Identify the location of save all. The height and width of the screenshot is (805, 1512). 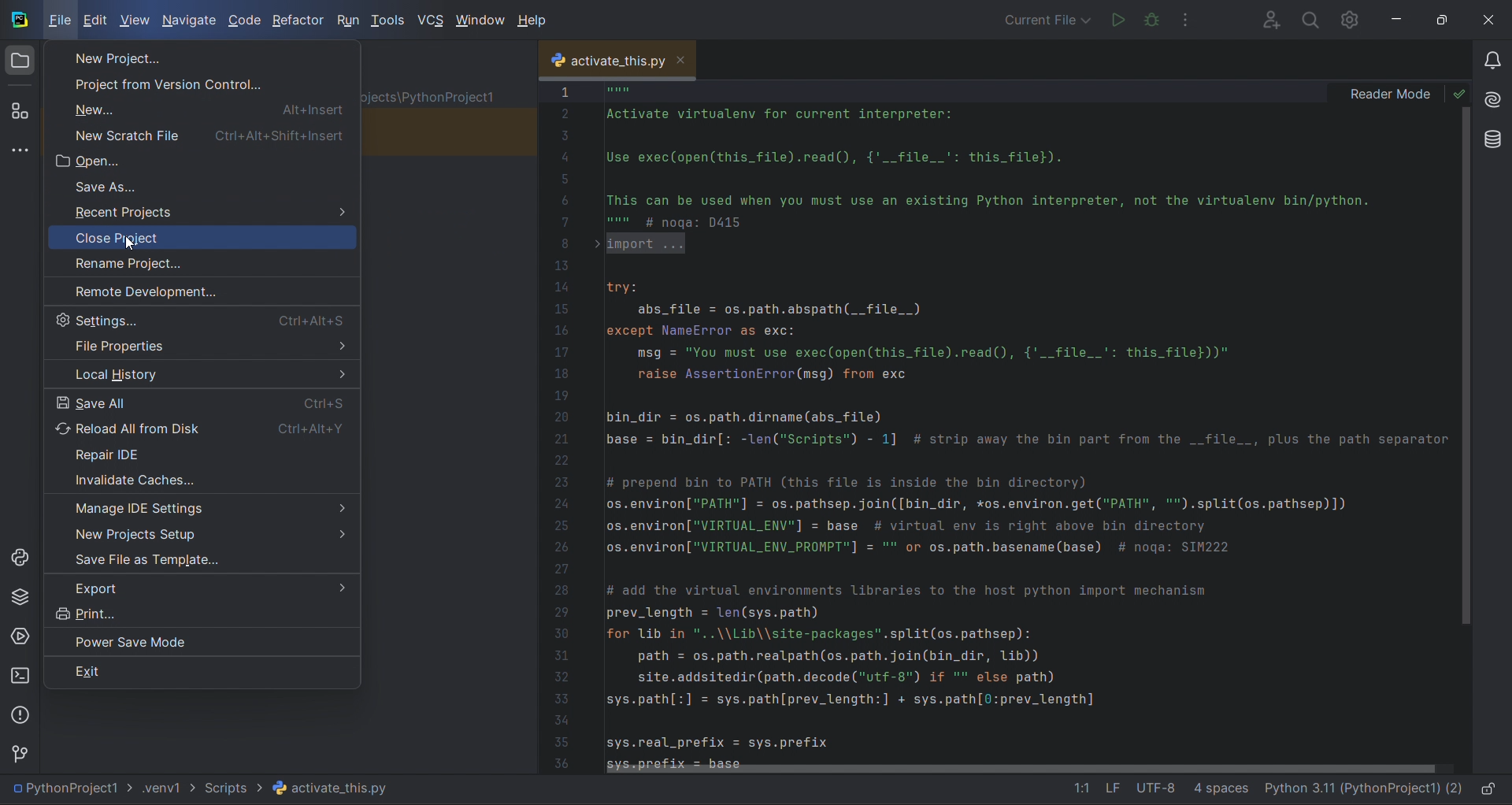
(202, 397).